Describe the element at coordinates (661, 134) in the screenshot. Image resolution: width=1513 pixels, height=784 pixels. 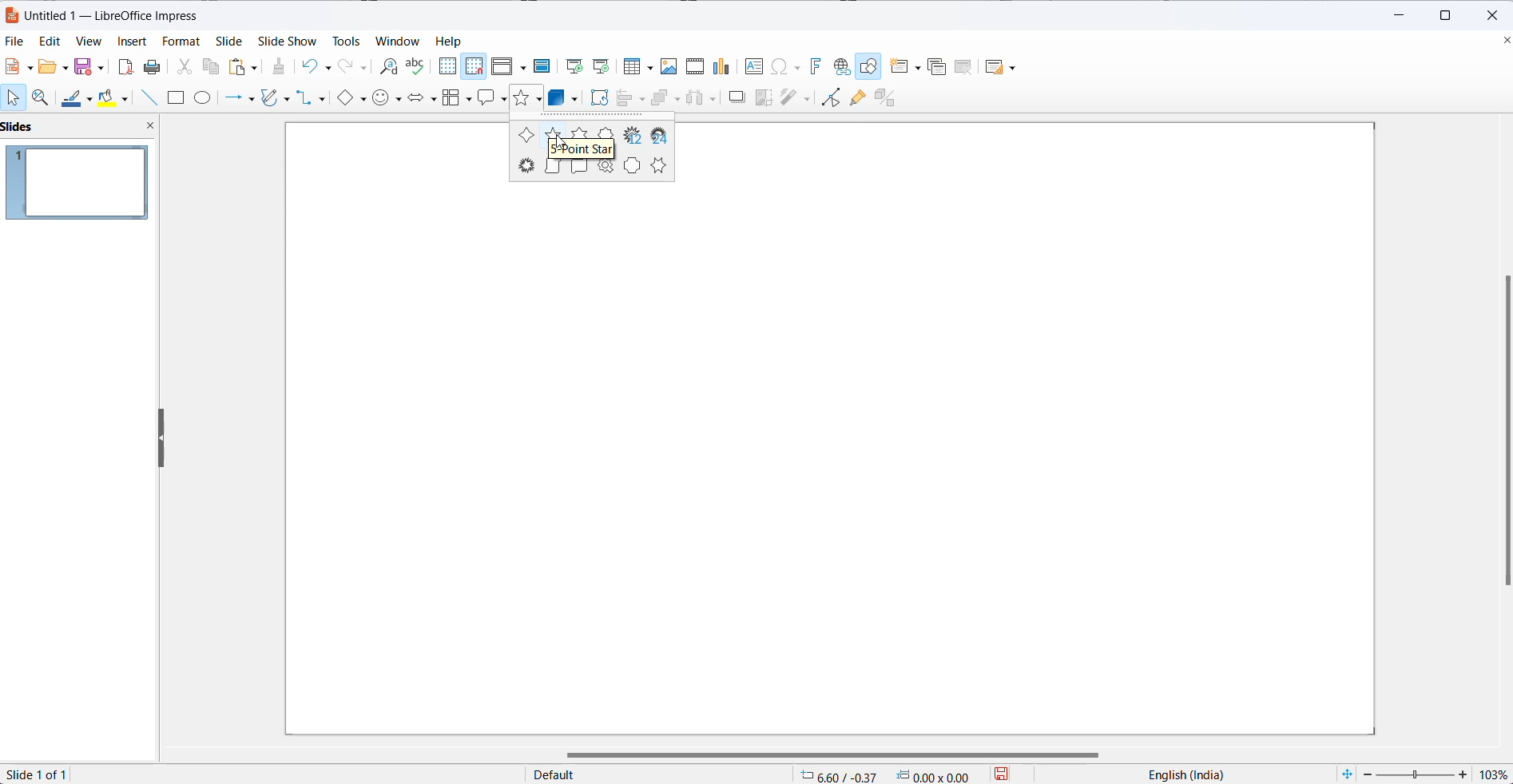
I see `24 point star` at that location.